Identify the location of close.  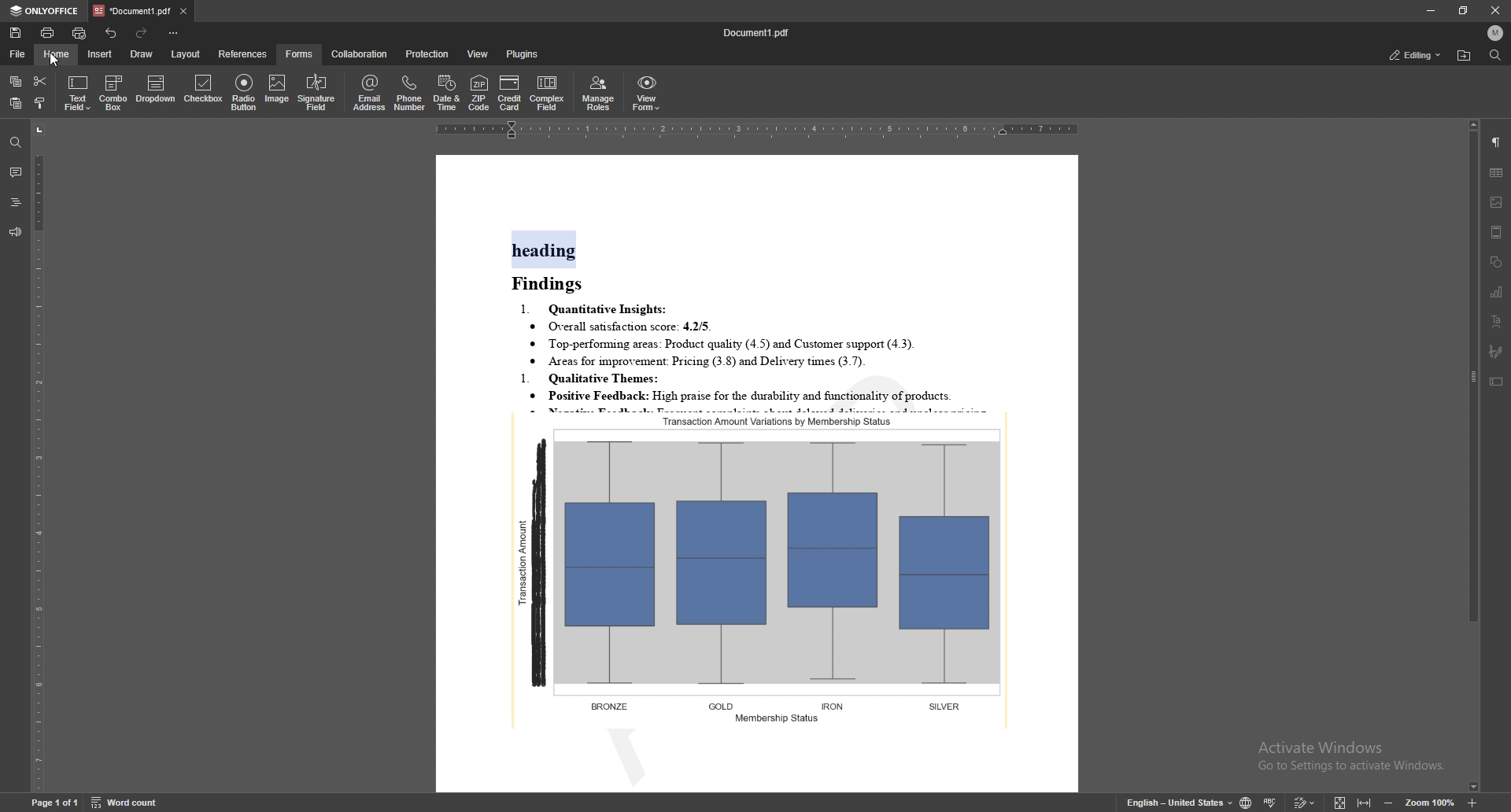
(1497, 11).